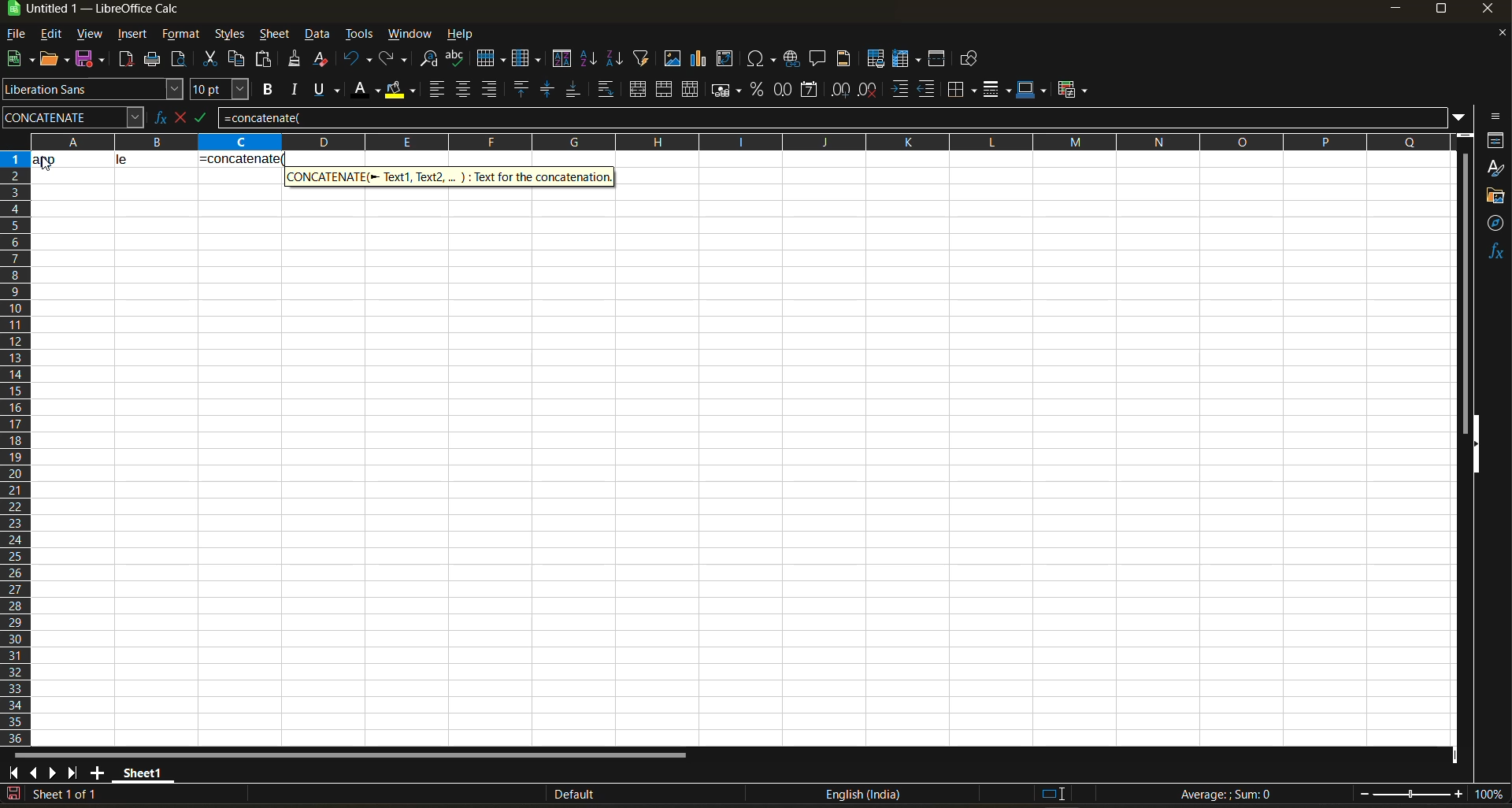  I want to click on format as date, so click(813, 91).